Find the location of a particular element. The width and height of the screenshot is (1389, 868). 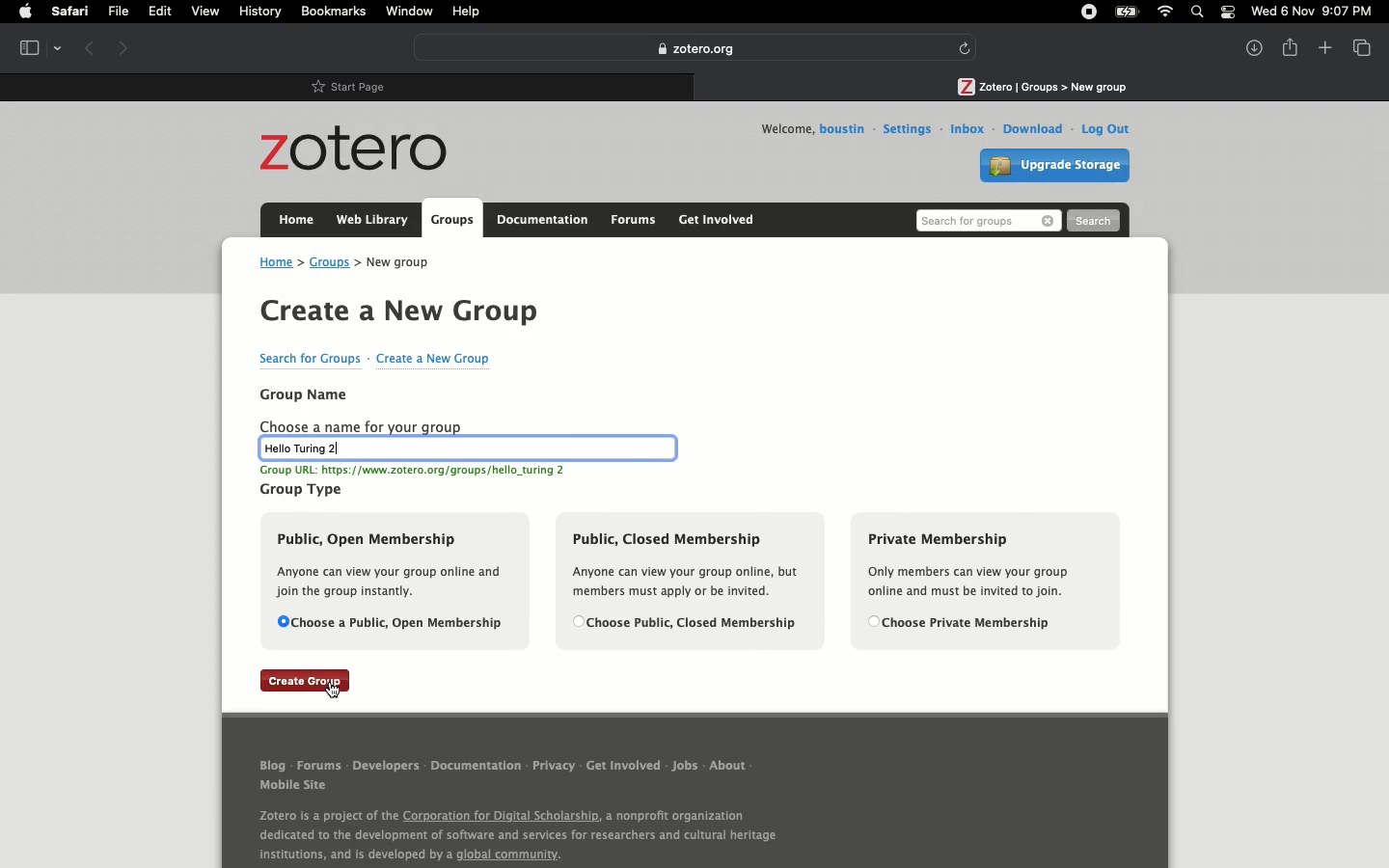

Groups is located at coordinates (329, 262).